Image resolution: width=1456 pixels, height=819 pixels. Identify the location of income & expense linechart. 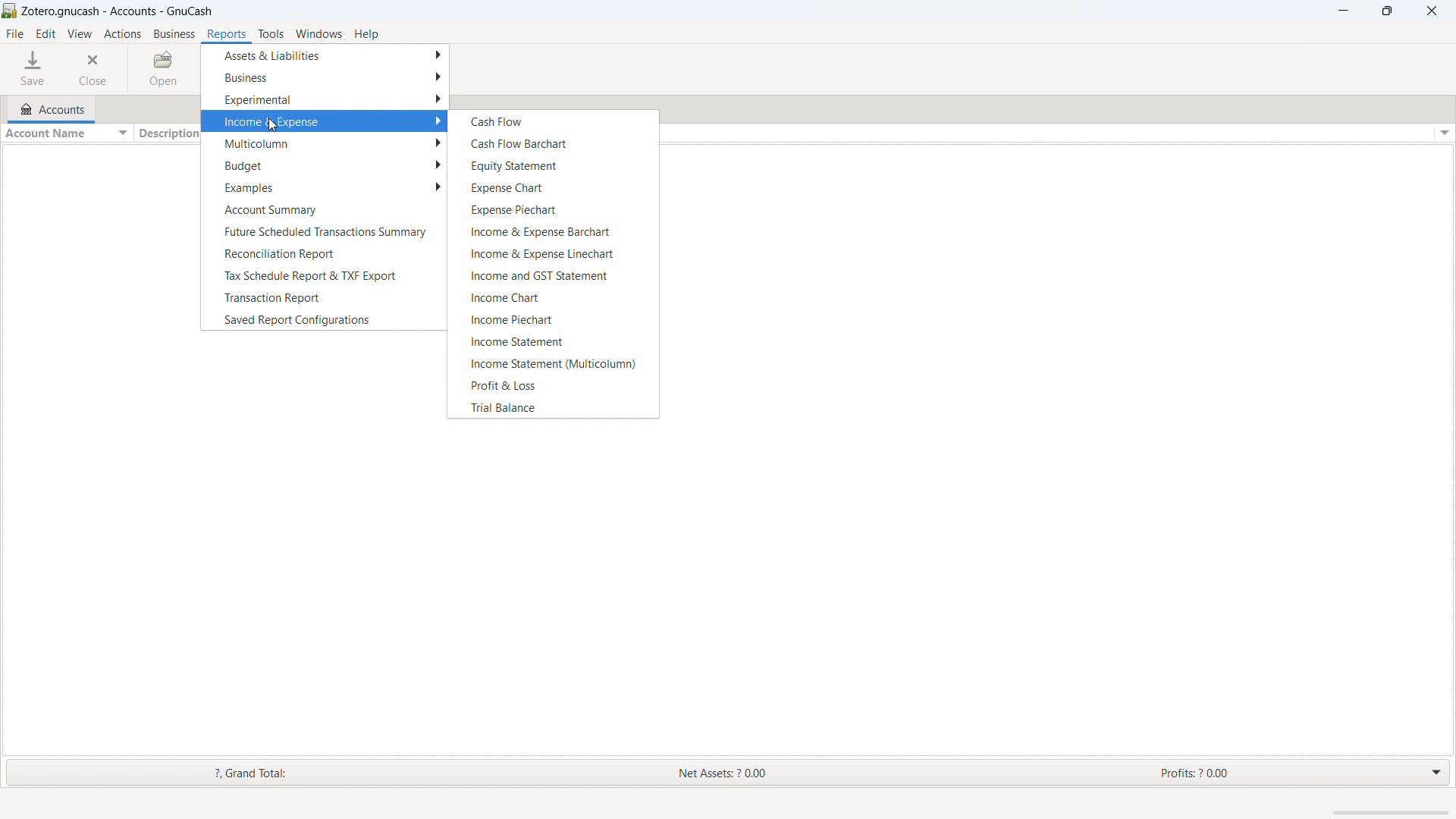
(554, 253).